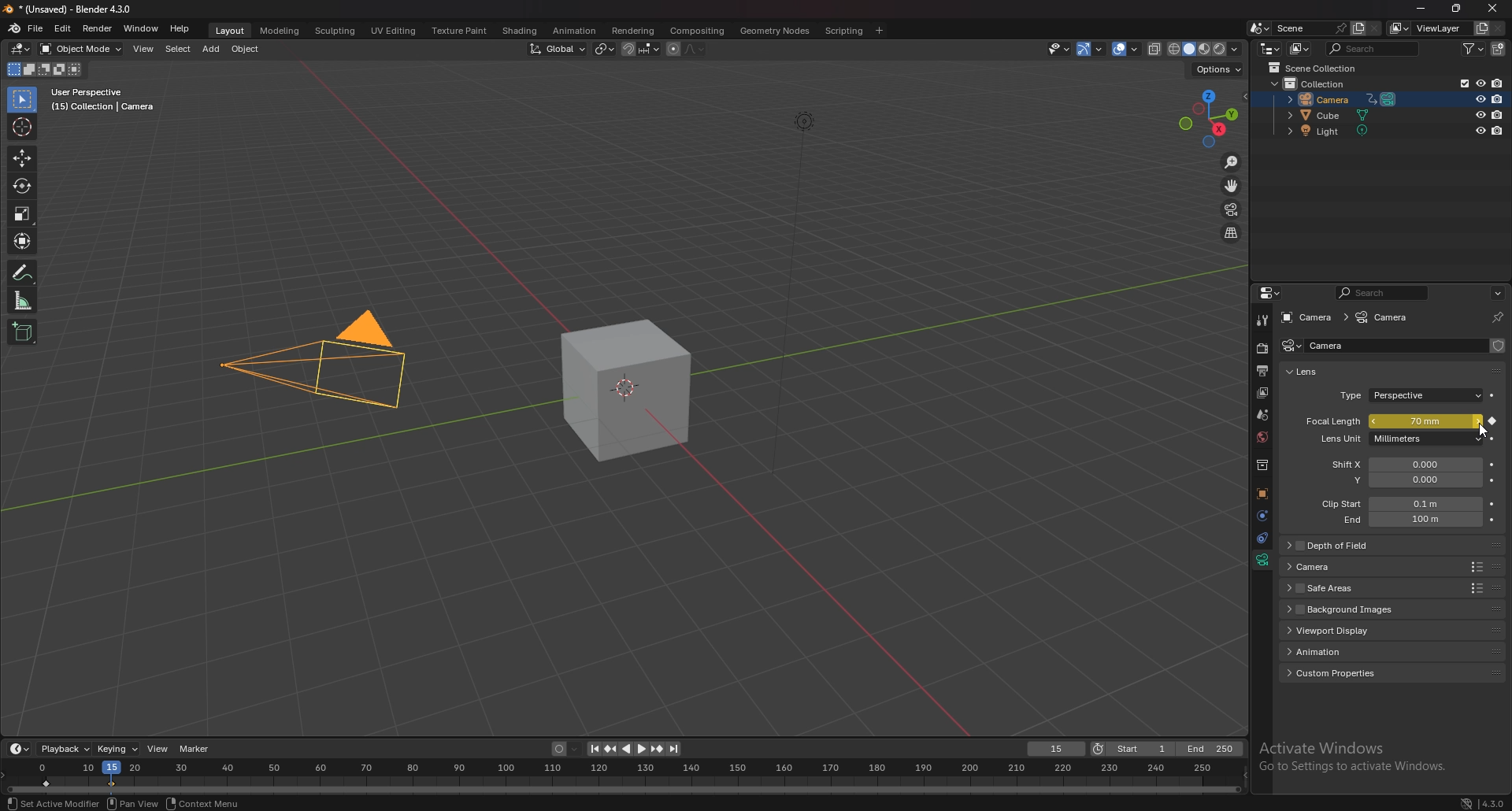  Describe the element at coordinates (1308, 28) in the screenshot. I see `scene` at that location.